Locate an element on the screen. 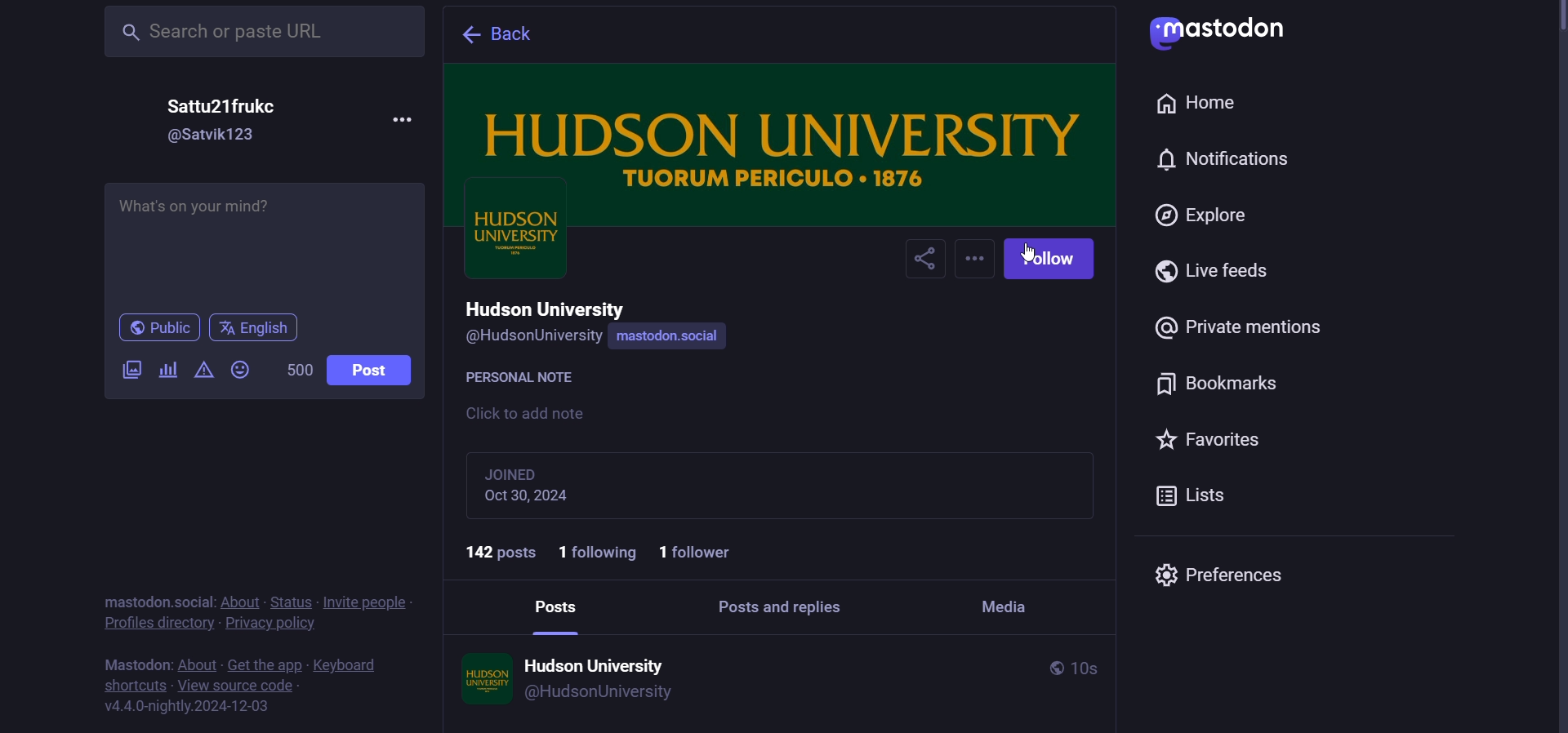  poll is located at coordinates (167, 371).